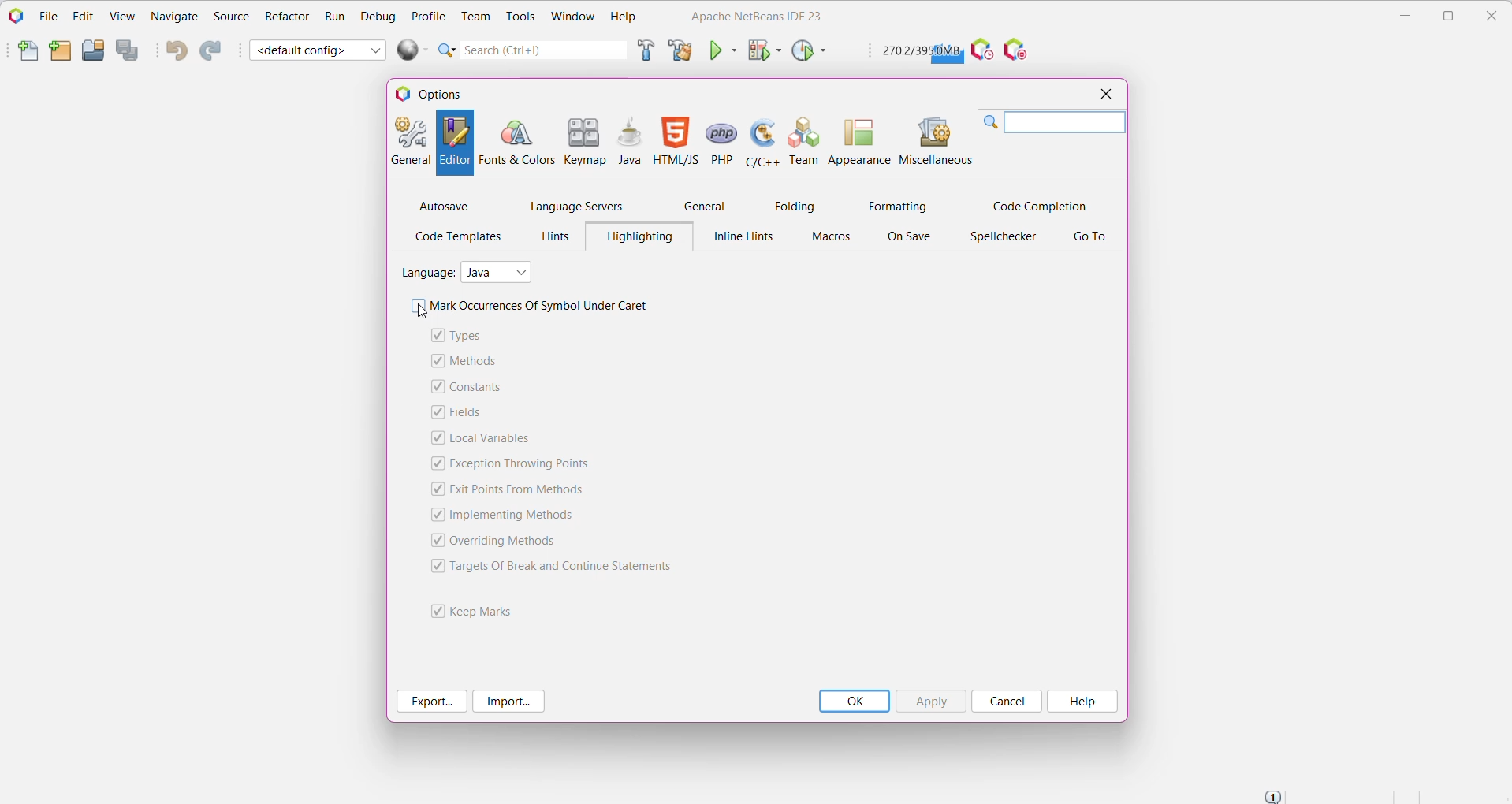 This screenshot has height=804, width=1512. What do you see at coordinates (436, 385) in the screenshot?
I see `checkbox` at bounding box center [436, 385].